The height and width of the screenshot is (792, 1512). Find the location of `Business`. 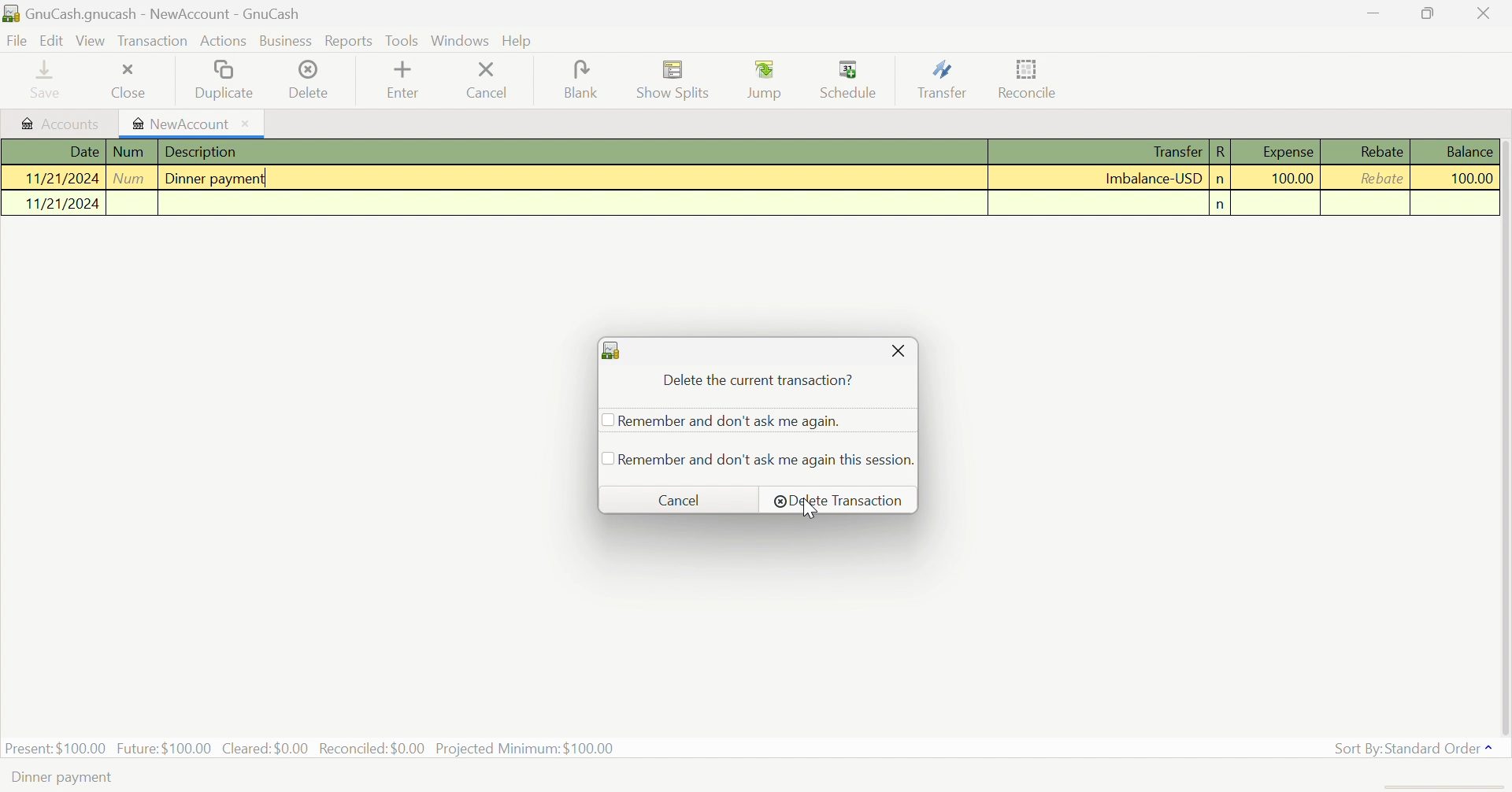

Business is located at coordinates (287, 42).